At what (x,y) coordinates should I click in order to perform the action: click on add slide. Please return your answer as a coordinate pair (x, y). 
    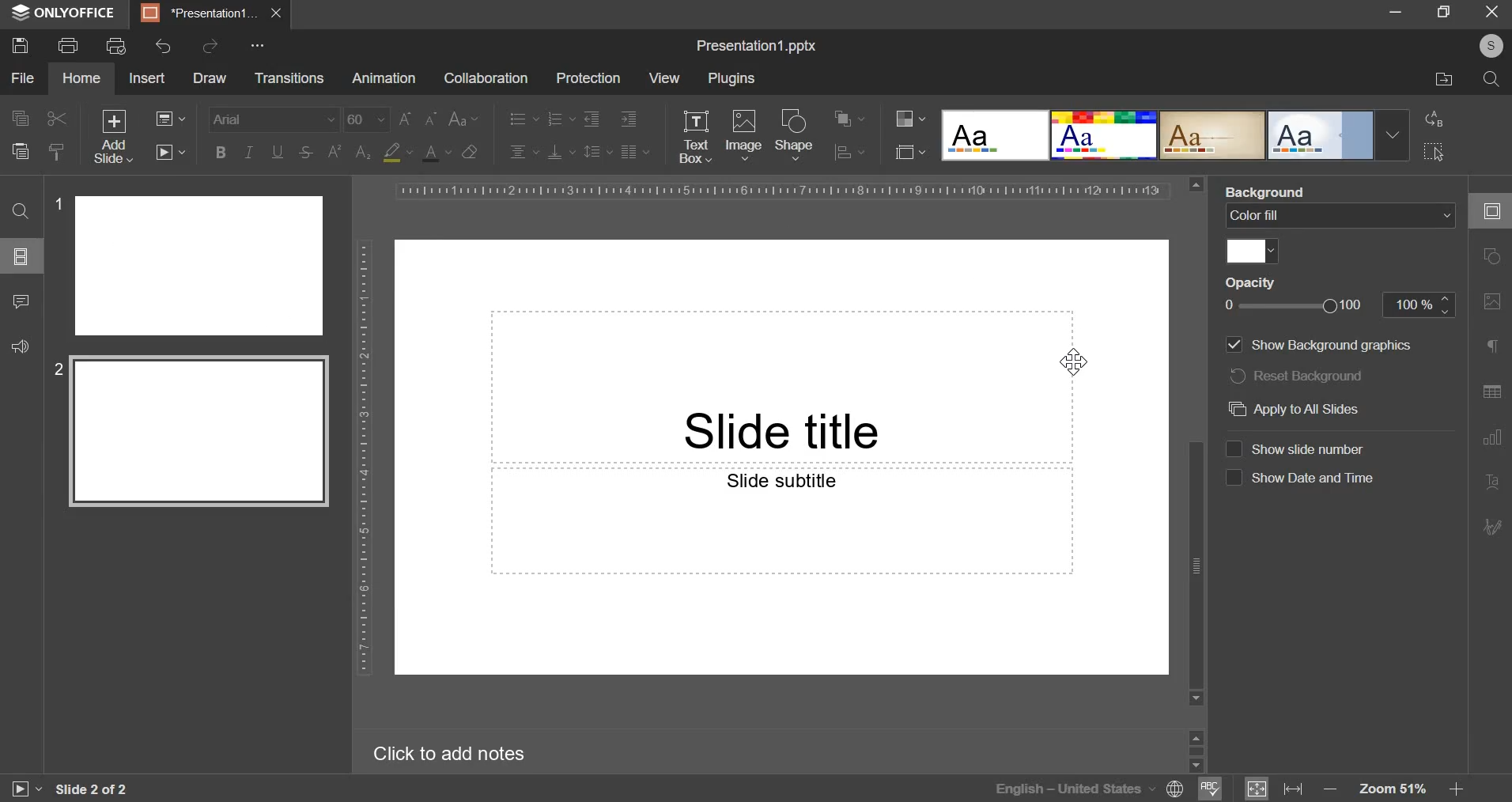
    Looking at the image, I should click on (115, 137).